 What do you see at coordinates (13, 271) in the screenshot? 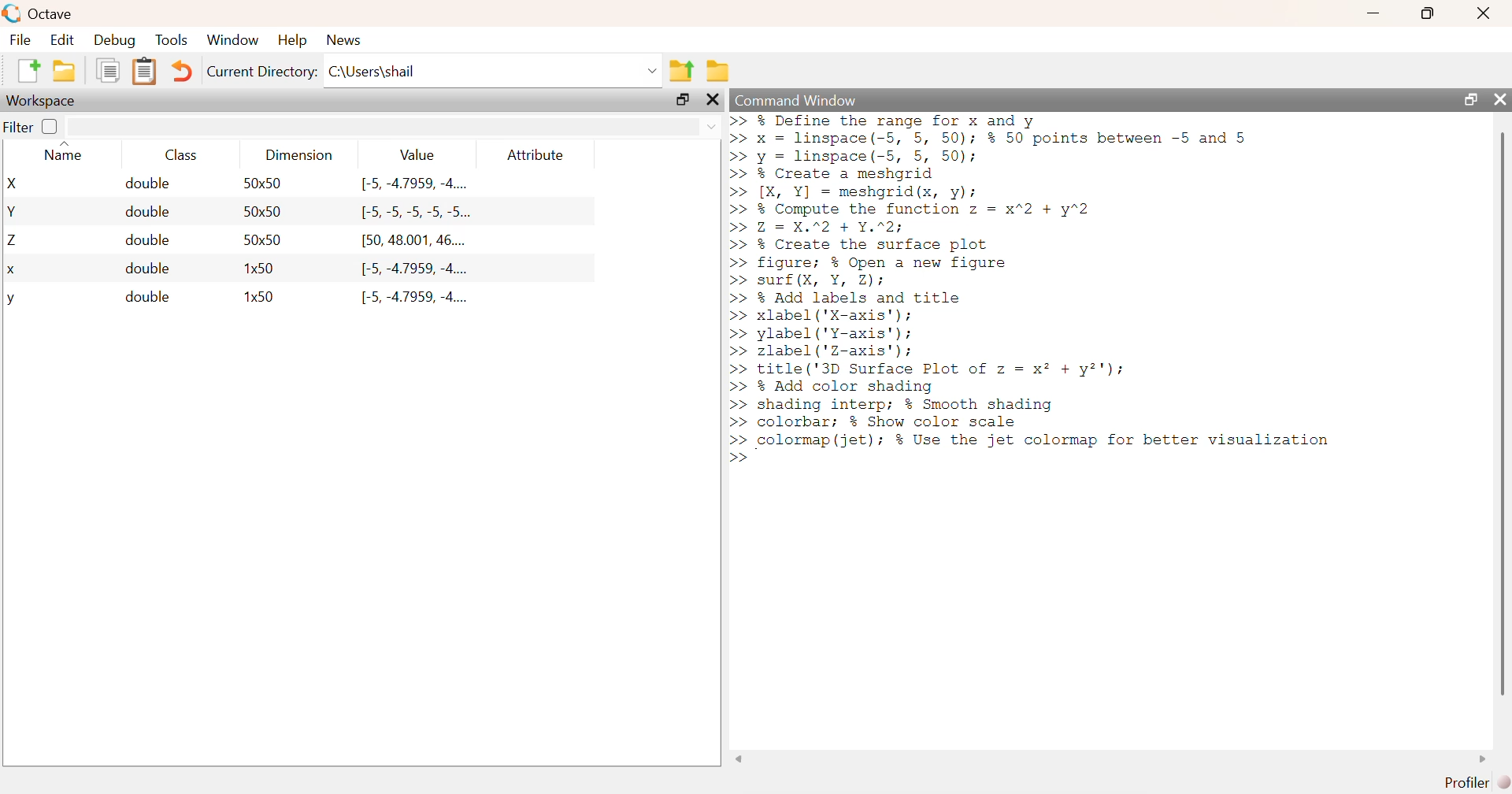
I see `x` at bounding box center [13, 271].